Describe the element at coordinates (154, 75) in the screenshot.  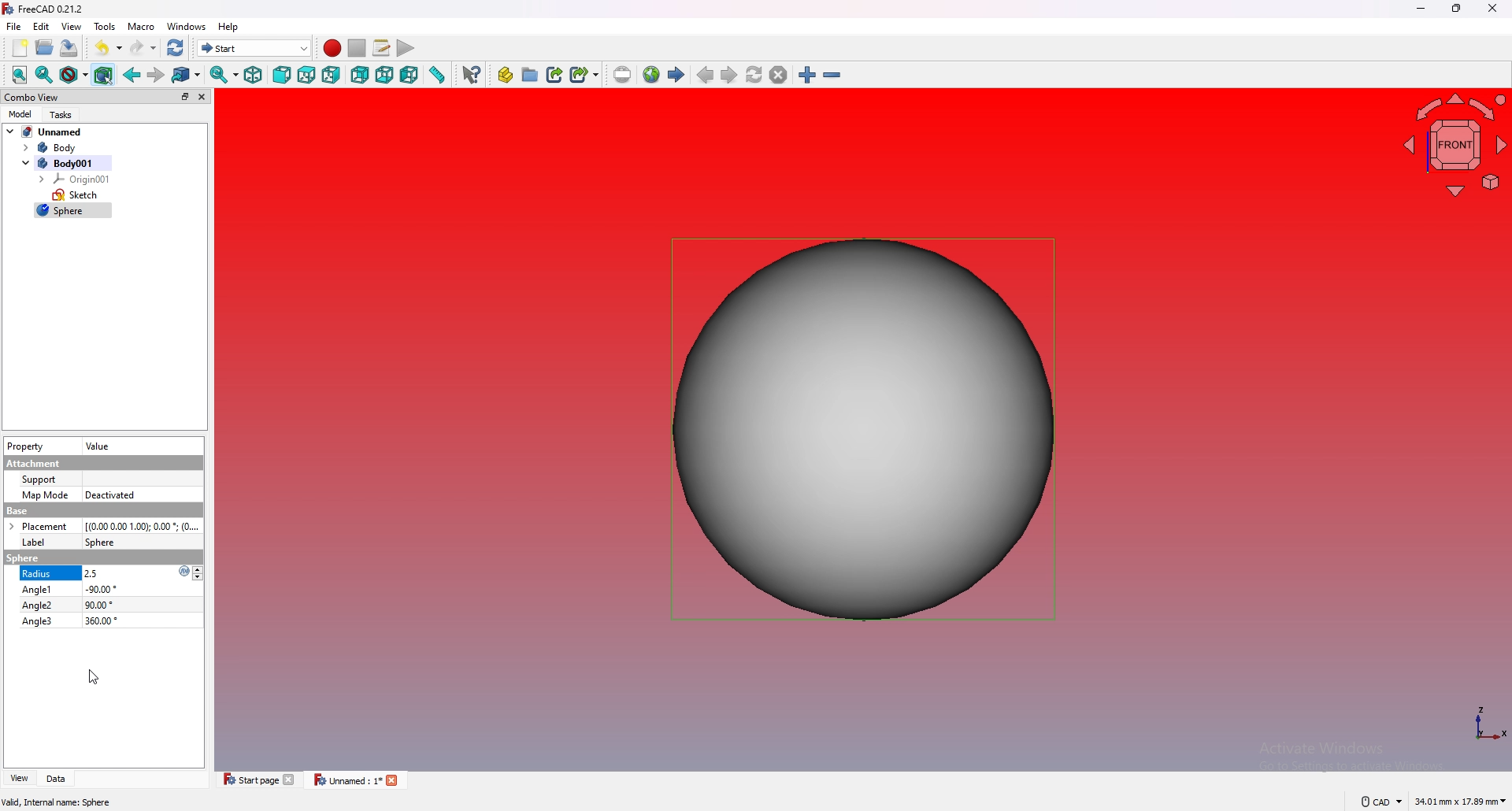
I see `forward` at that location.